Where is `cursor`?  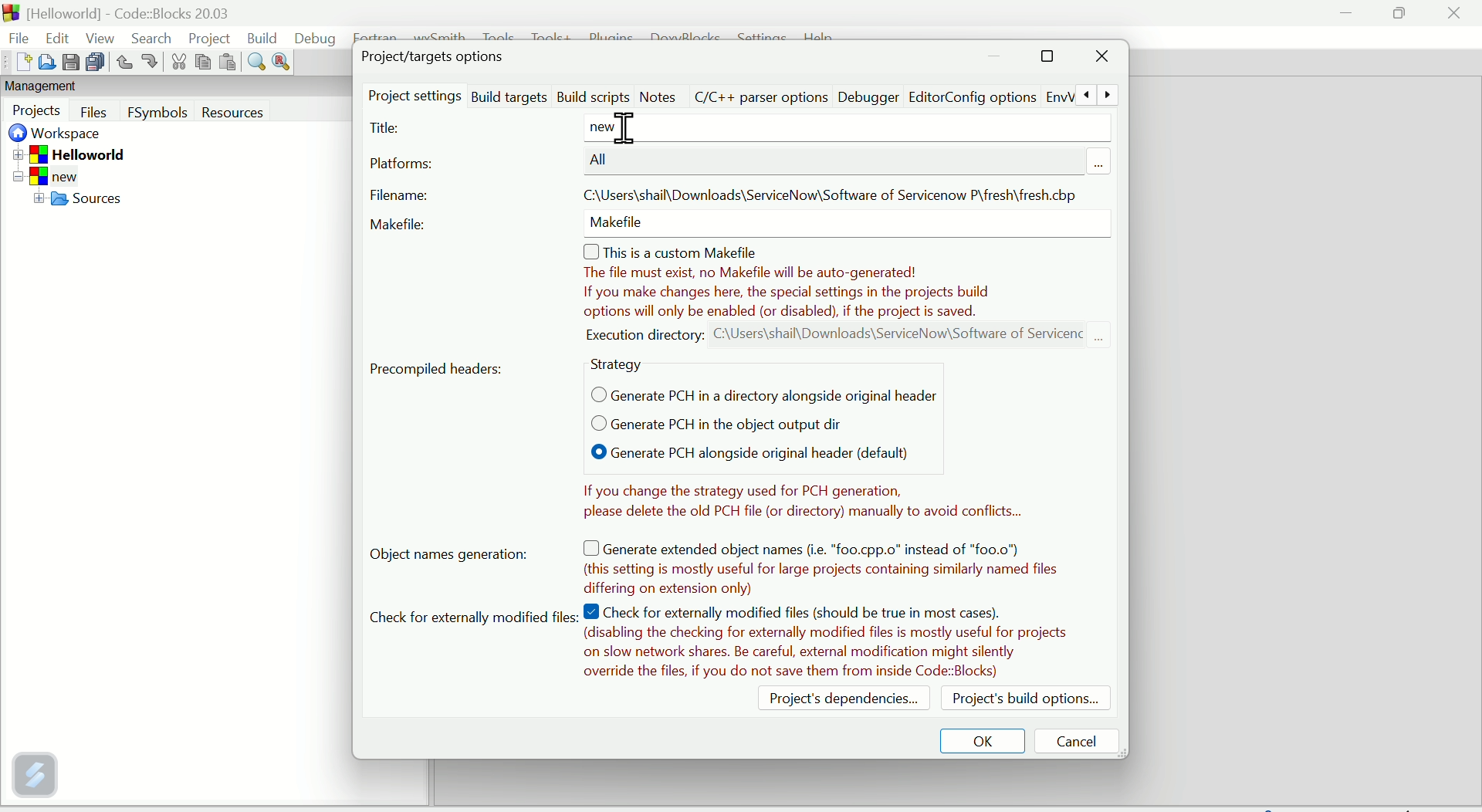 cursor is located at coordinates (629, 127).